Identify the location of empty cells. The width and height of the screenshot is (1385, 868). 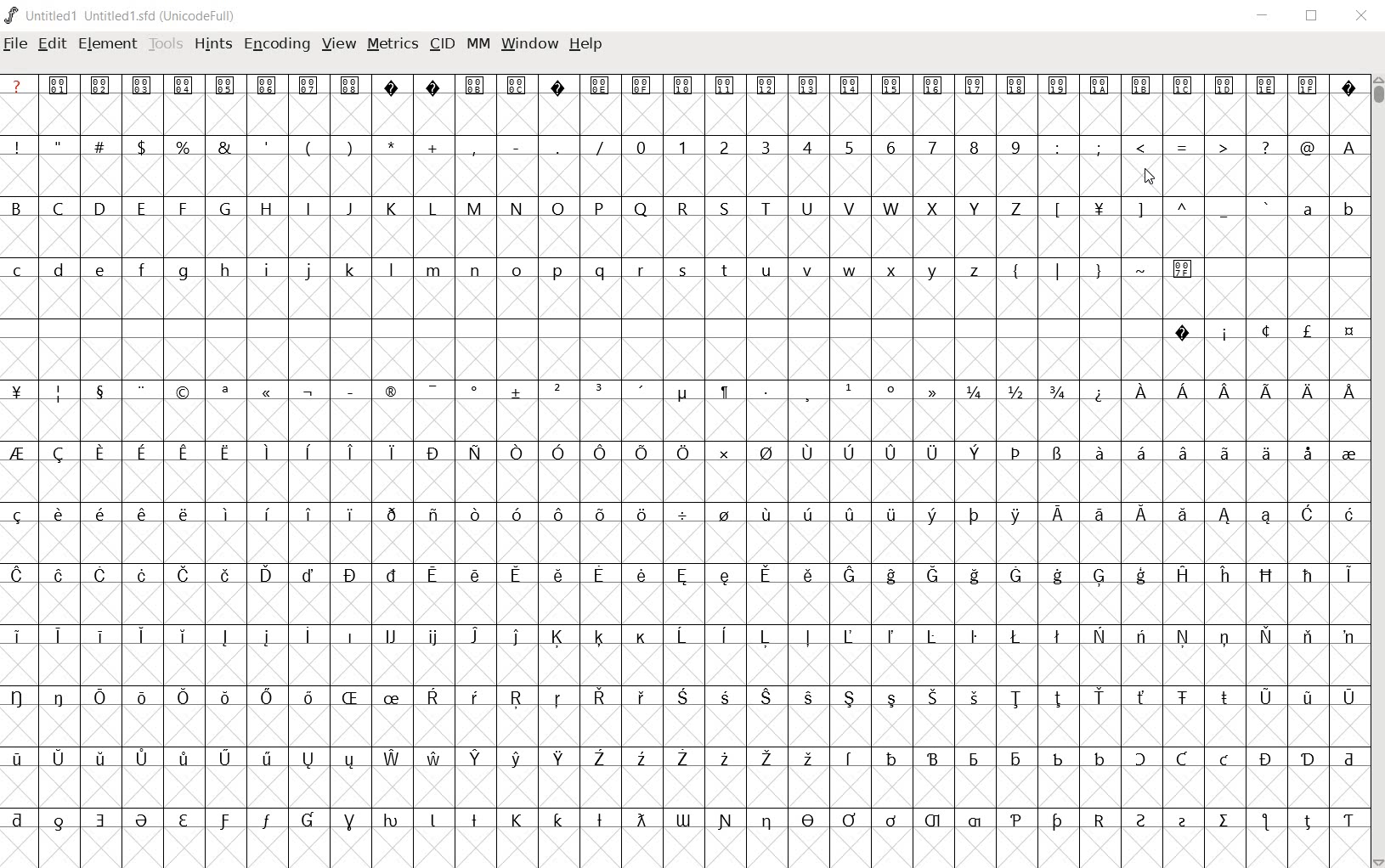
(681, 420).